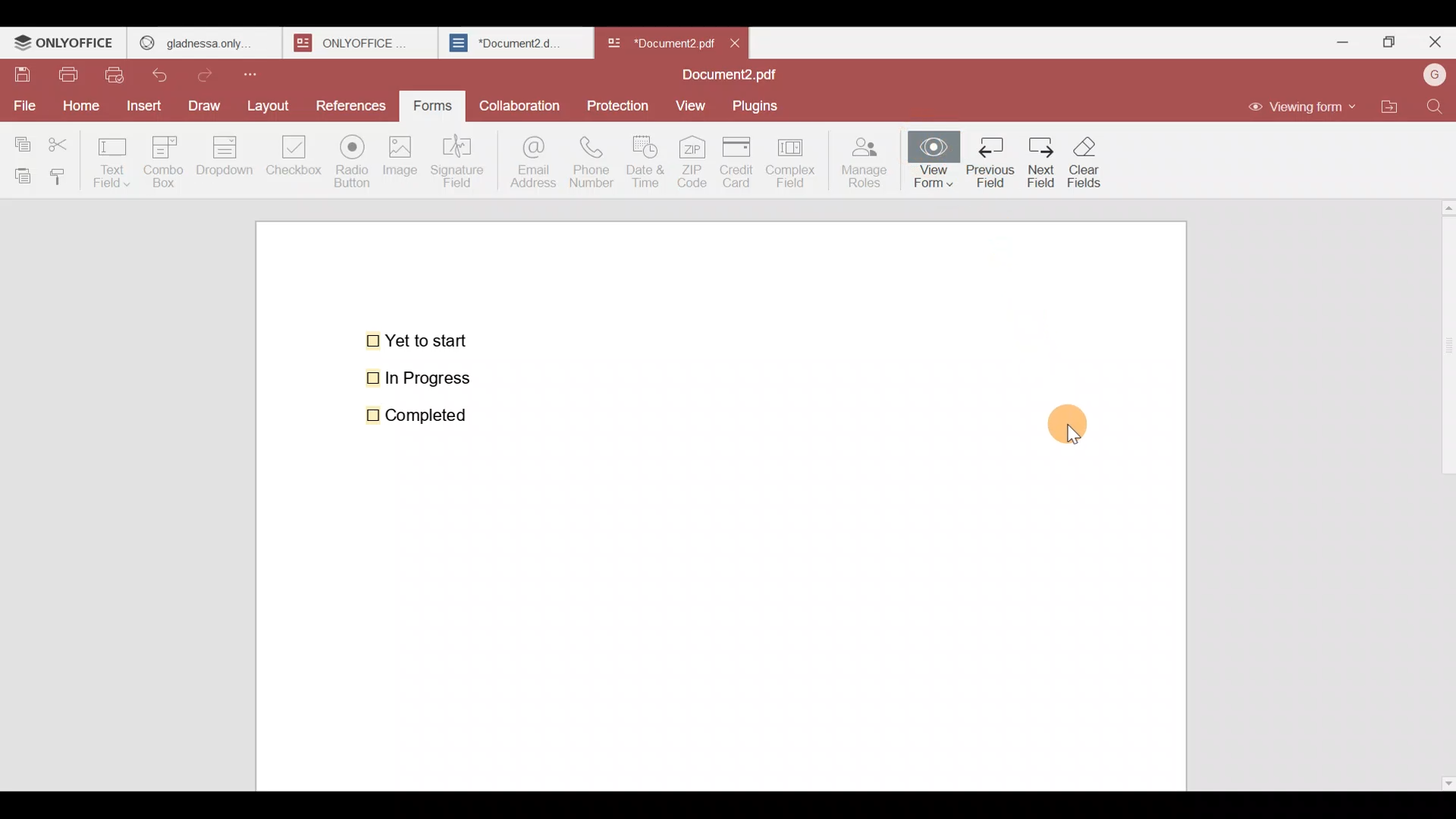 The image size is (1456, 819). Describe the element at coordinates (227, 162) in the screenshot. I see `Dropdown` at that location.